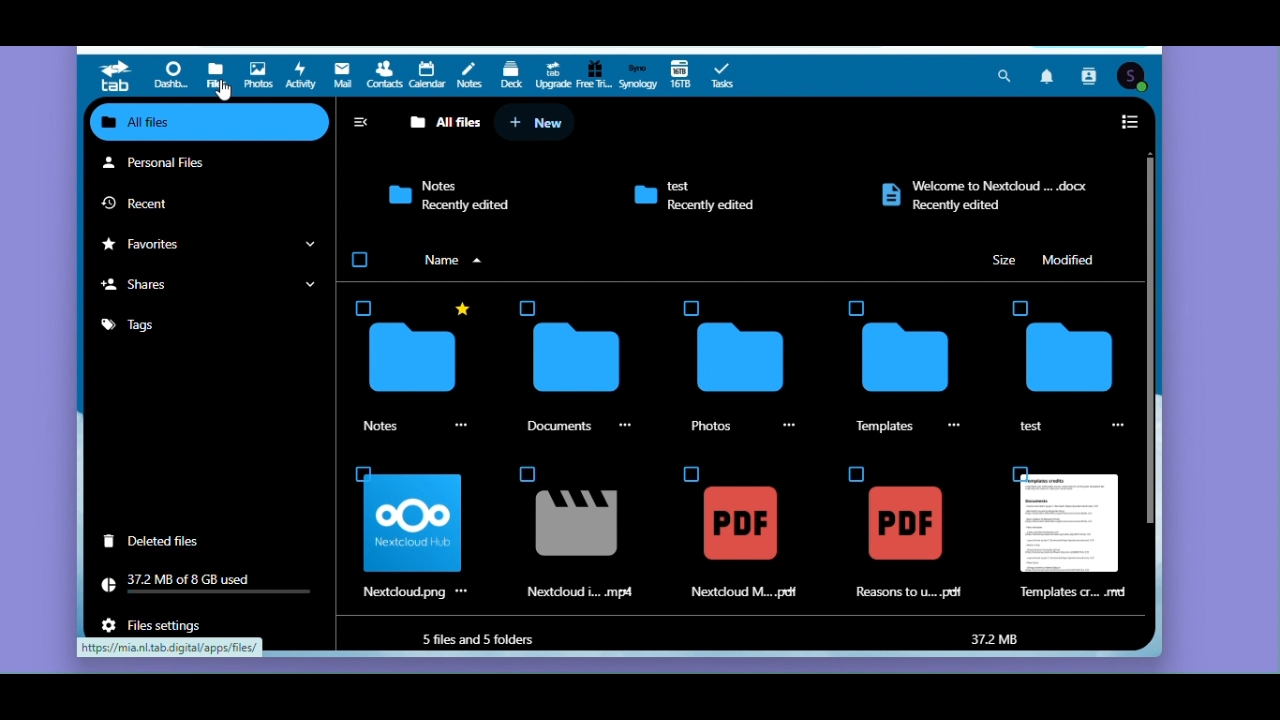 Image resolution: width=1280 pixels, height=720 pixels. I want to click on User Account, so click(1133, 80).